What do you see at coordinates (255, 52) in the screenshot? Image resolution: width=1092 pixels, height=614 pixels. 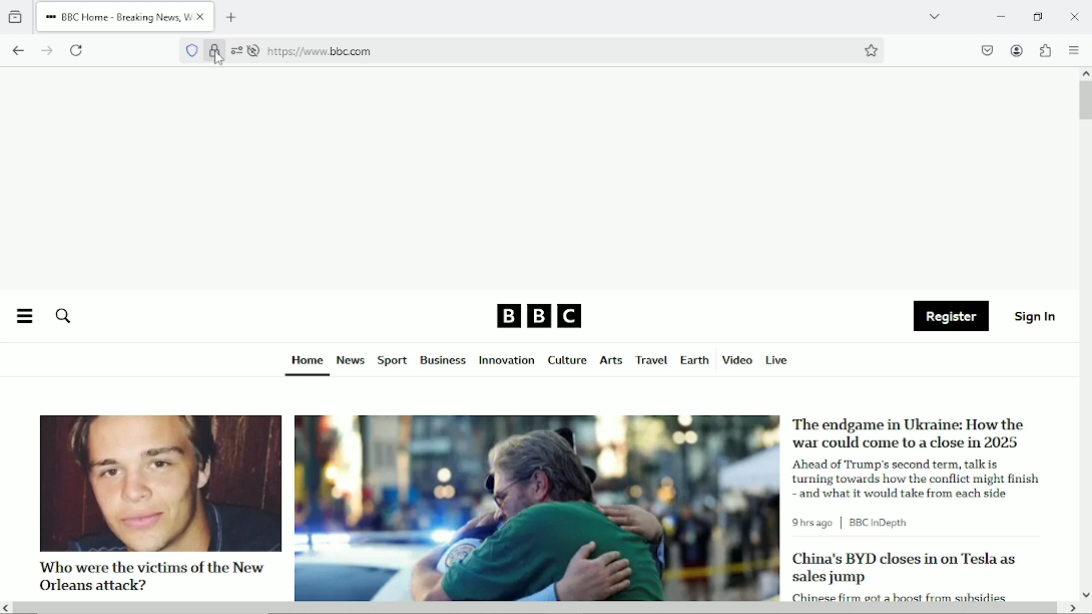 I see `autoplay is turned off` at bounding box center [255, 52].